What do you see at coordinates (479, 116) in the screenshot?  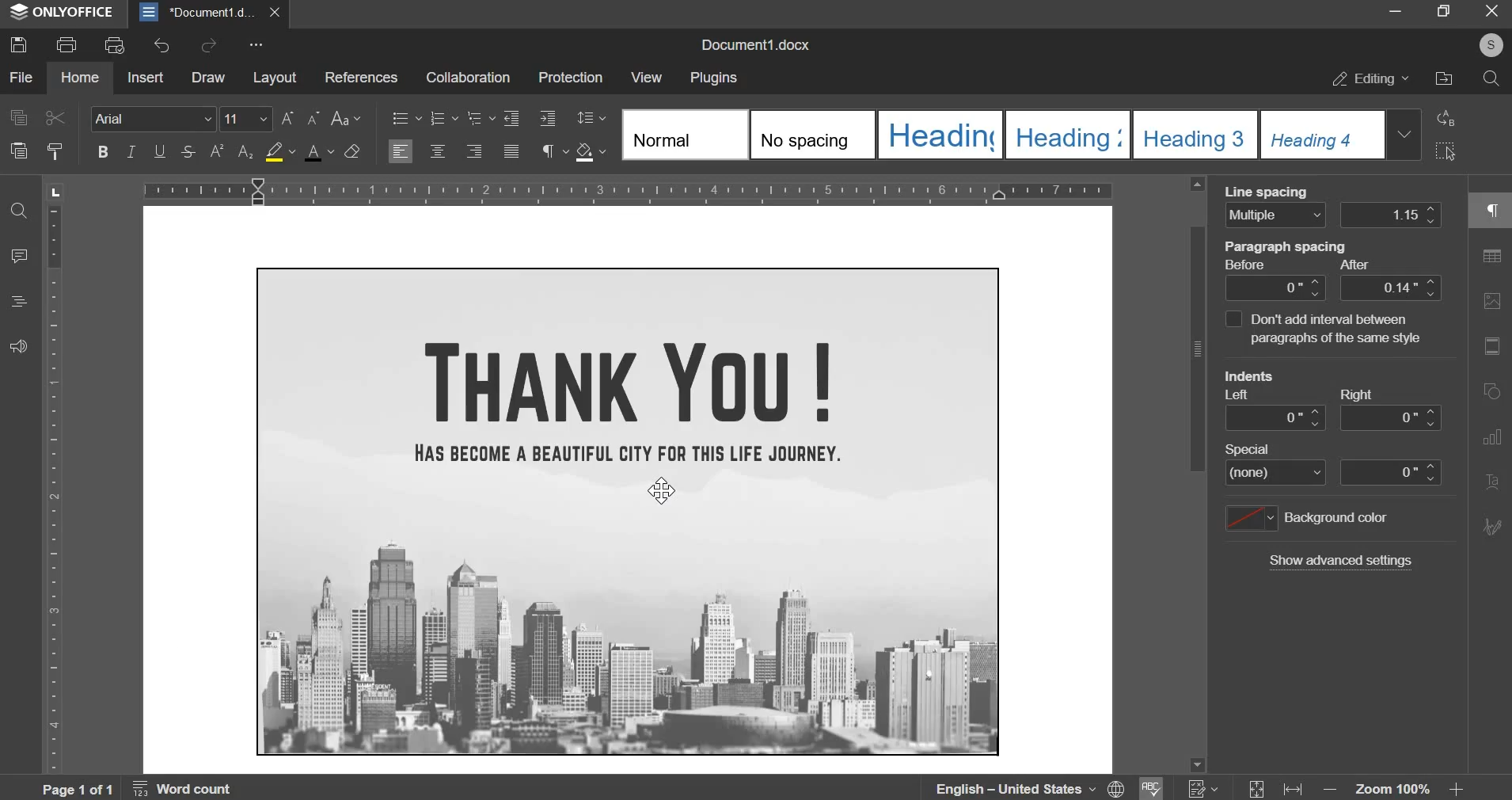 I see `multilevel list` at bounding box center [479, 116].